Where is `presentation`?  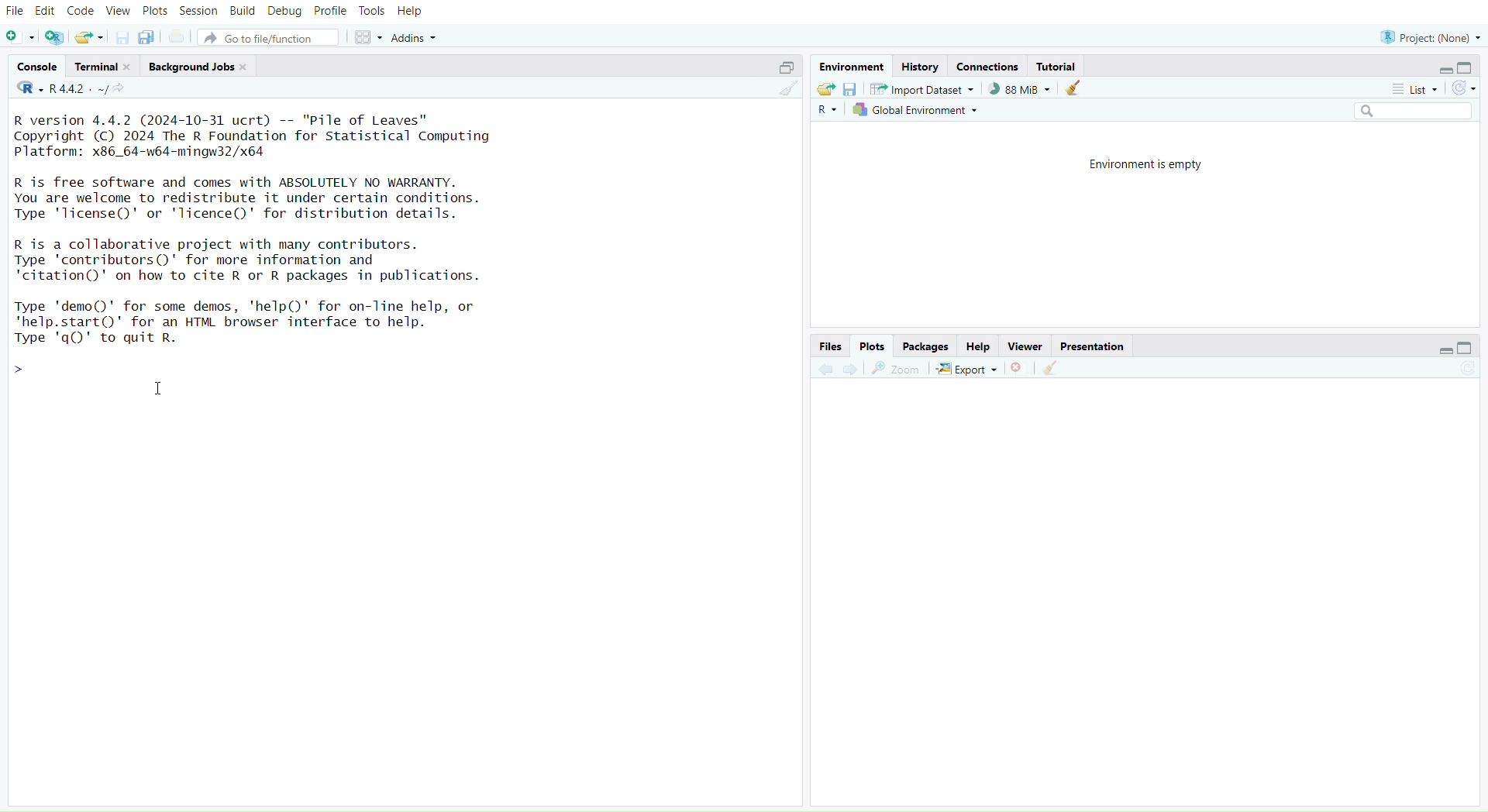 presentation is located at coordinates (1092, 347).